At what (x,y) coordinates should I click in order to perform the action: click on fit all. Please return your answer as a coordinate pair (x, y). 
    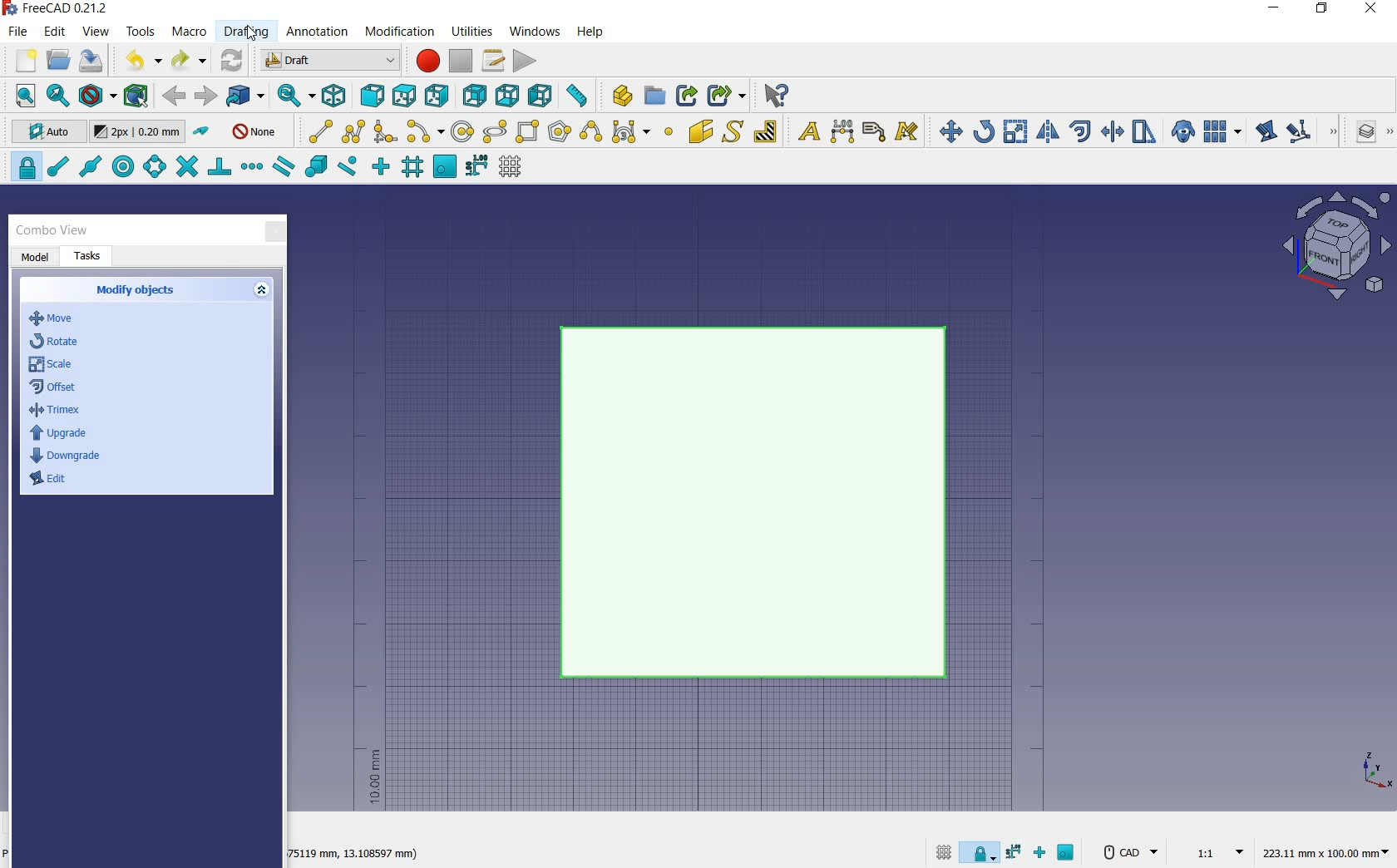
    Looking at the image, I should click on (22, 96).